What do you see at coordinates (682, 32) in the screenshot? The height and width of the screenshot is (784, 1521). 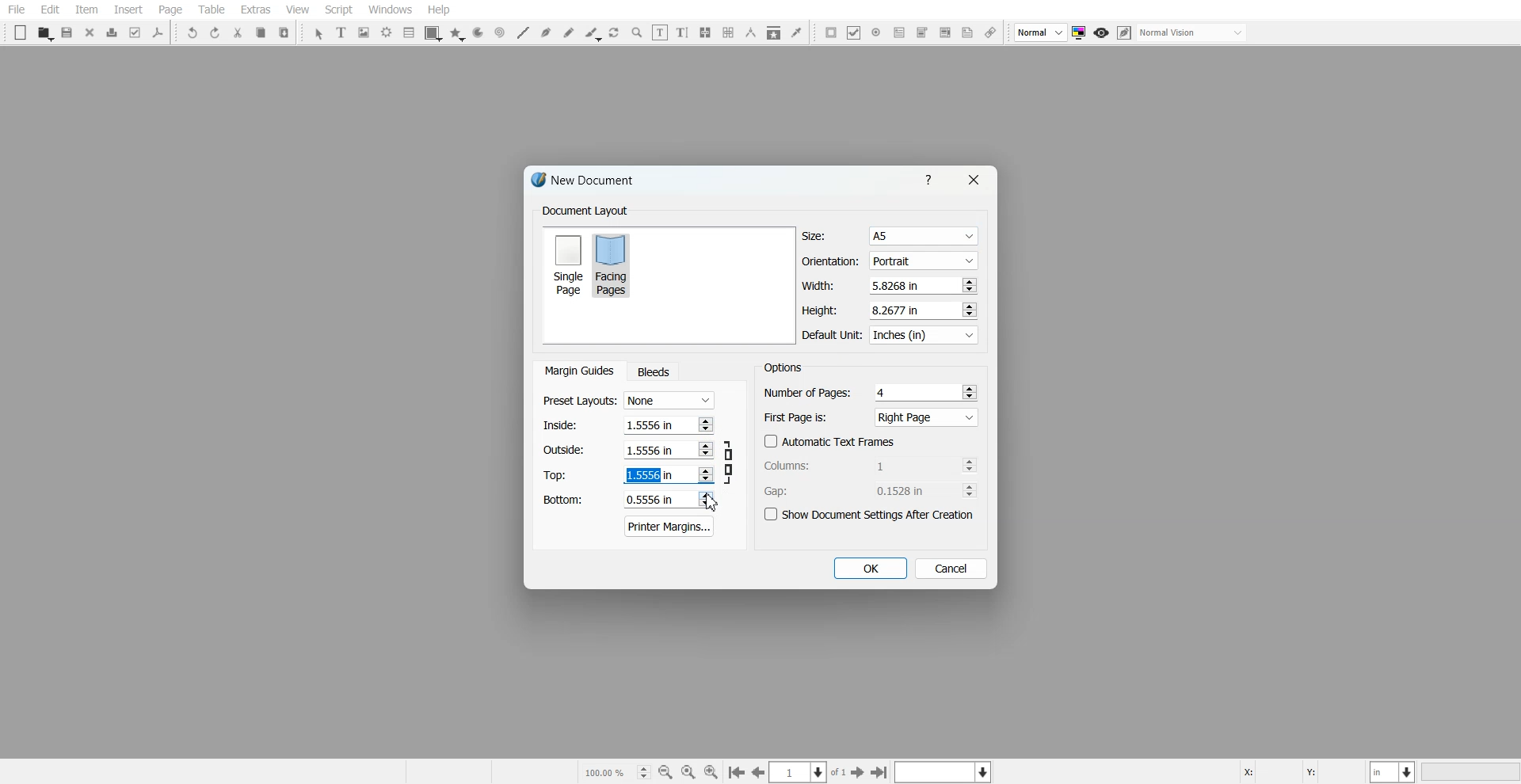 I see `Edit Text` at bounding box center [682, 32].